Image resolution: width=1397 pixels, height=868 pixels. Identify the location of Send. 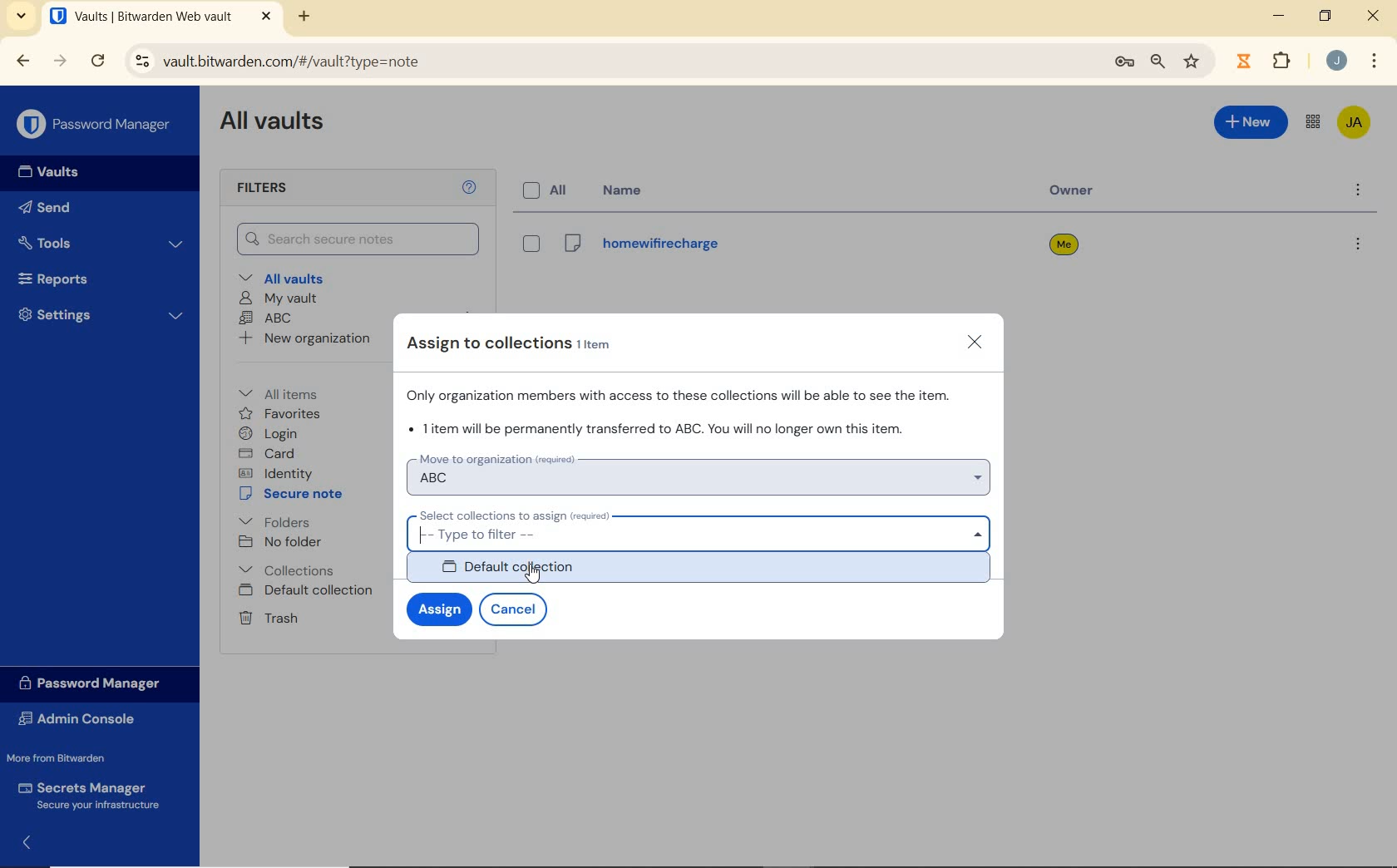
(50, 206).